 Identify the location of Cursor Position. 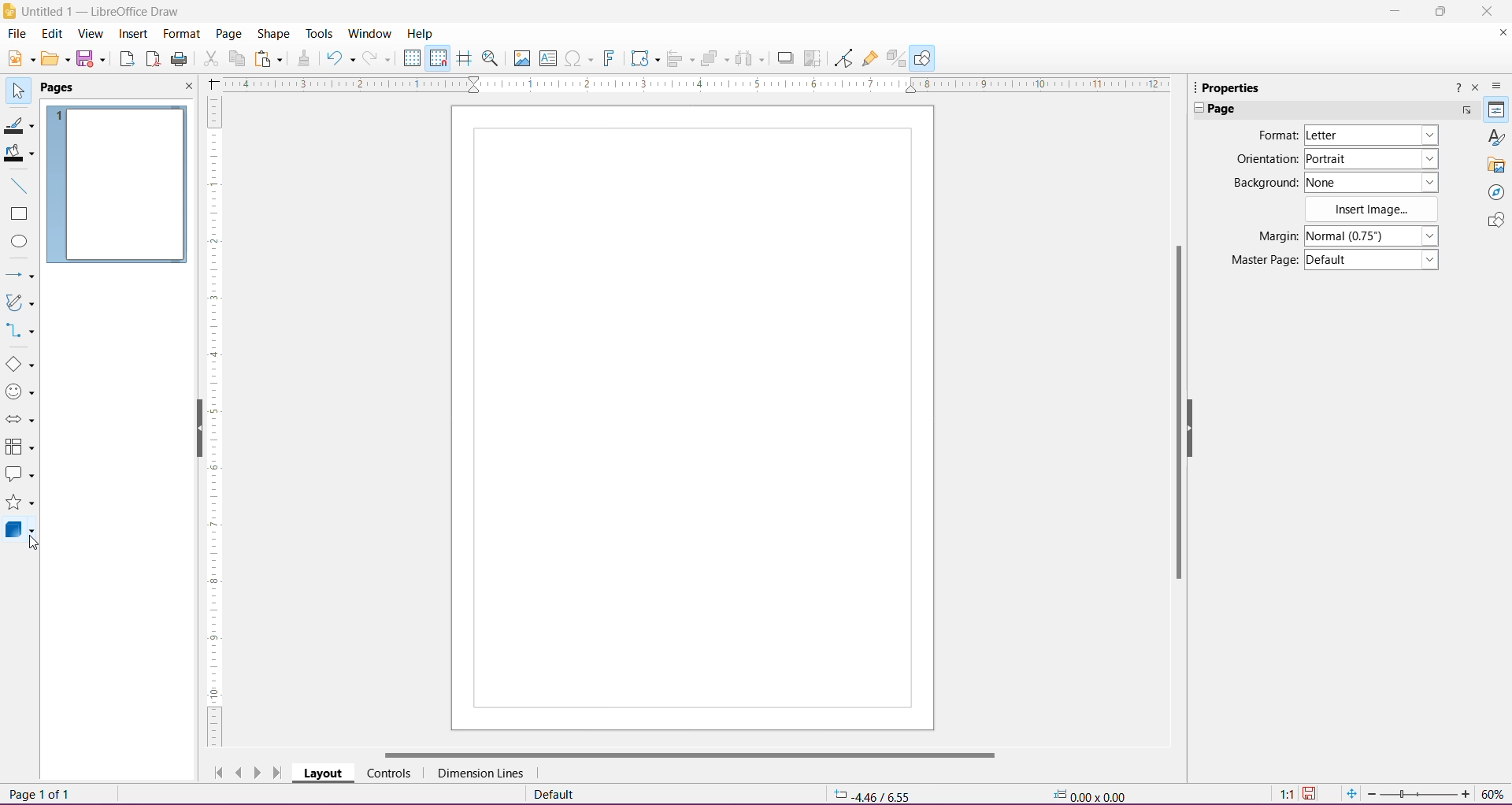
(874, 795).